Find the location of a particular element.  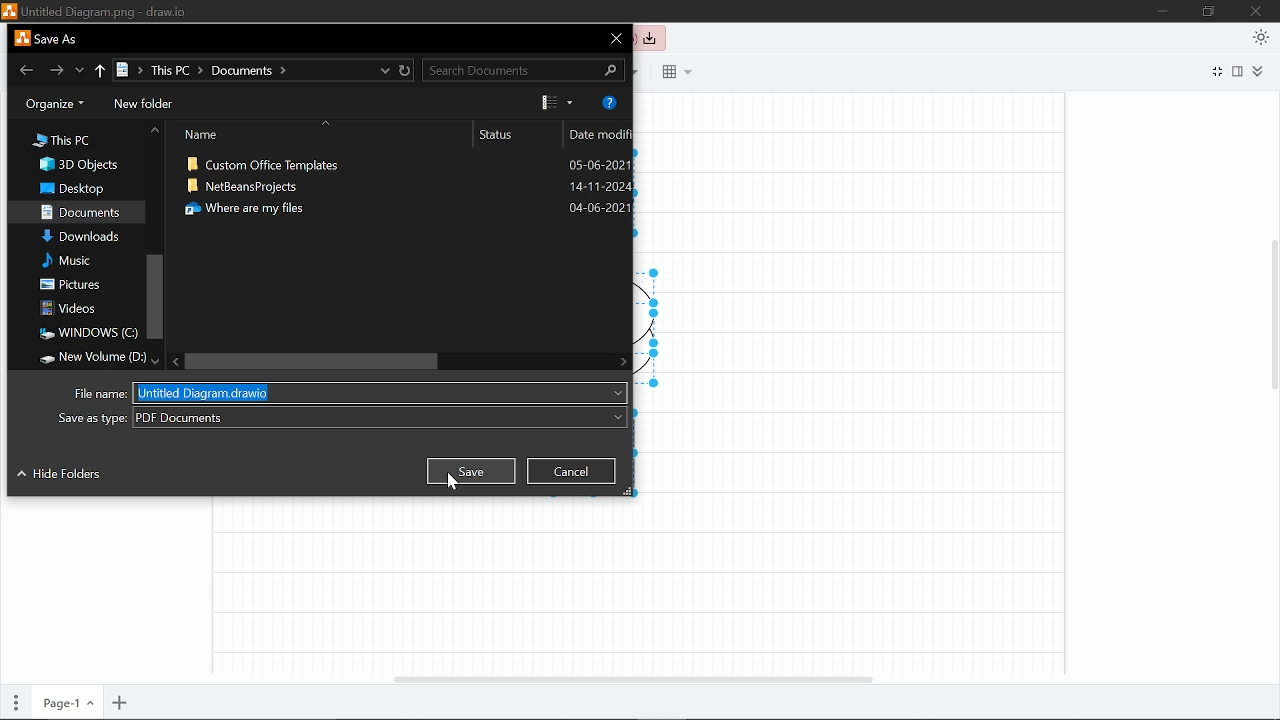

Save is located at coordinates (470, 470).